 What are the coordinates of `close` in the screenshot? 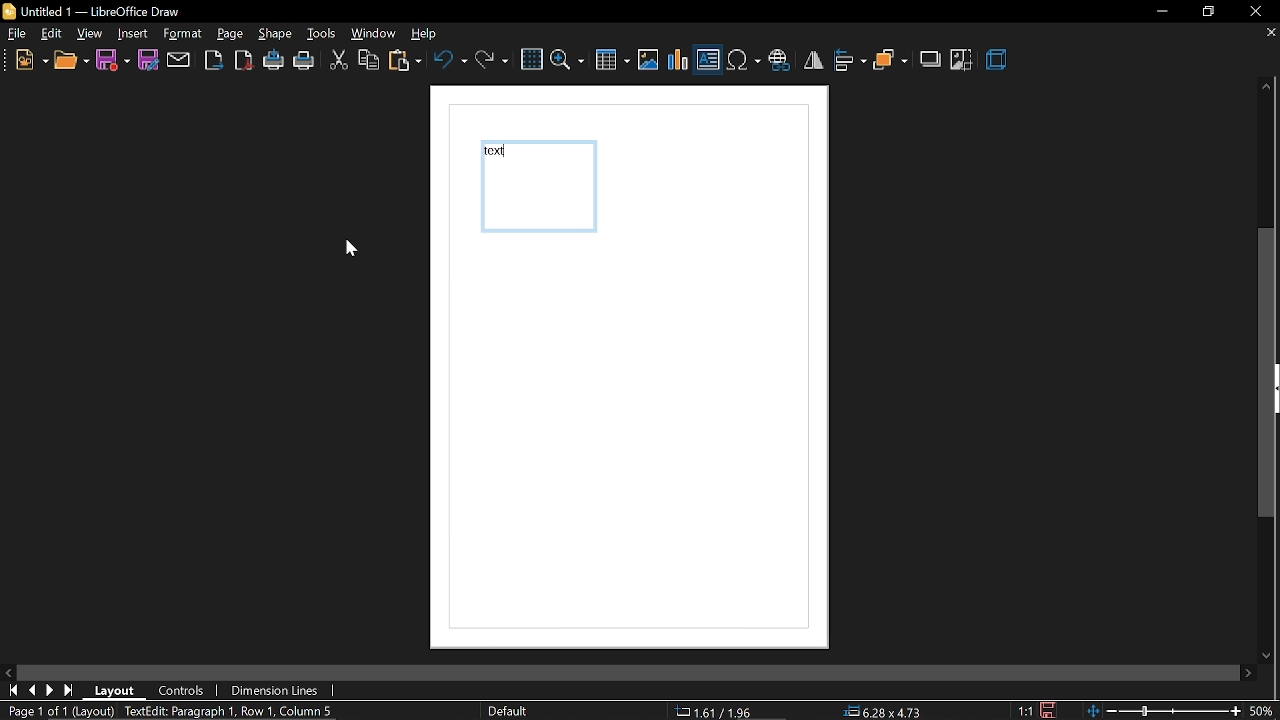 It's located at (1255, 12).